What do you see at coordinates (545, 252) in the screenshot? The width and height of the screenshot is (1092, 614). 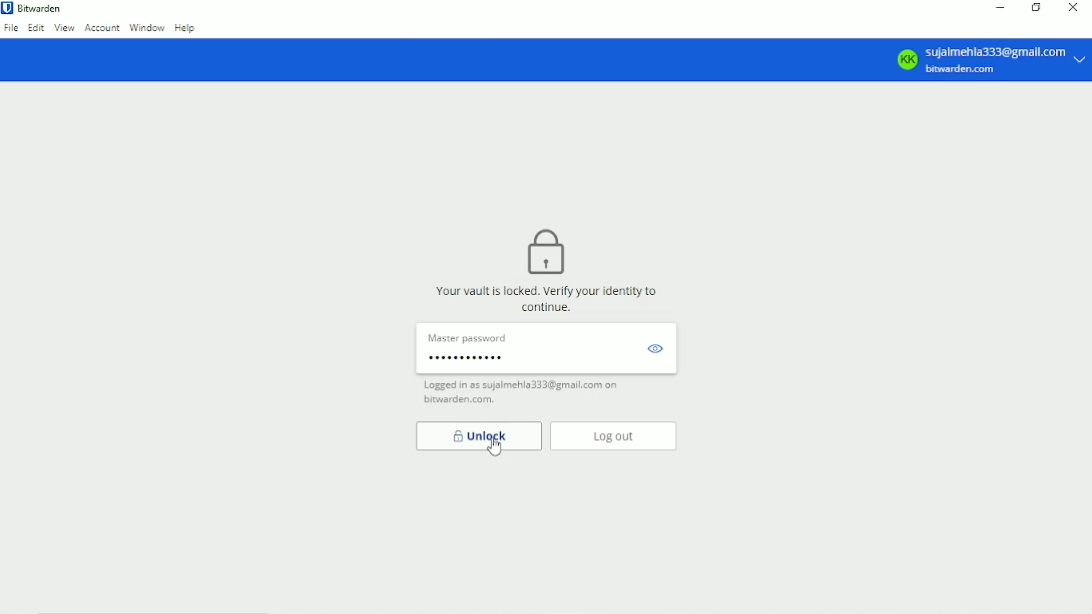 I see `lock image` at bounding box center [545, 252].